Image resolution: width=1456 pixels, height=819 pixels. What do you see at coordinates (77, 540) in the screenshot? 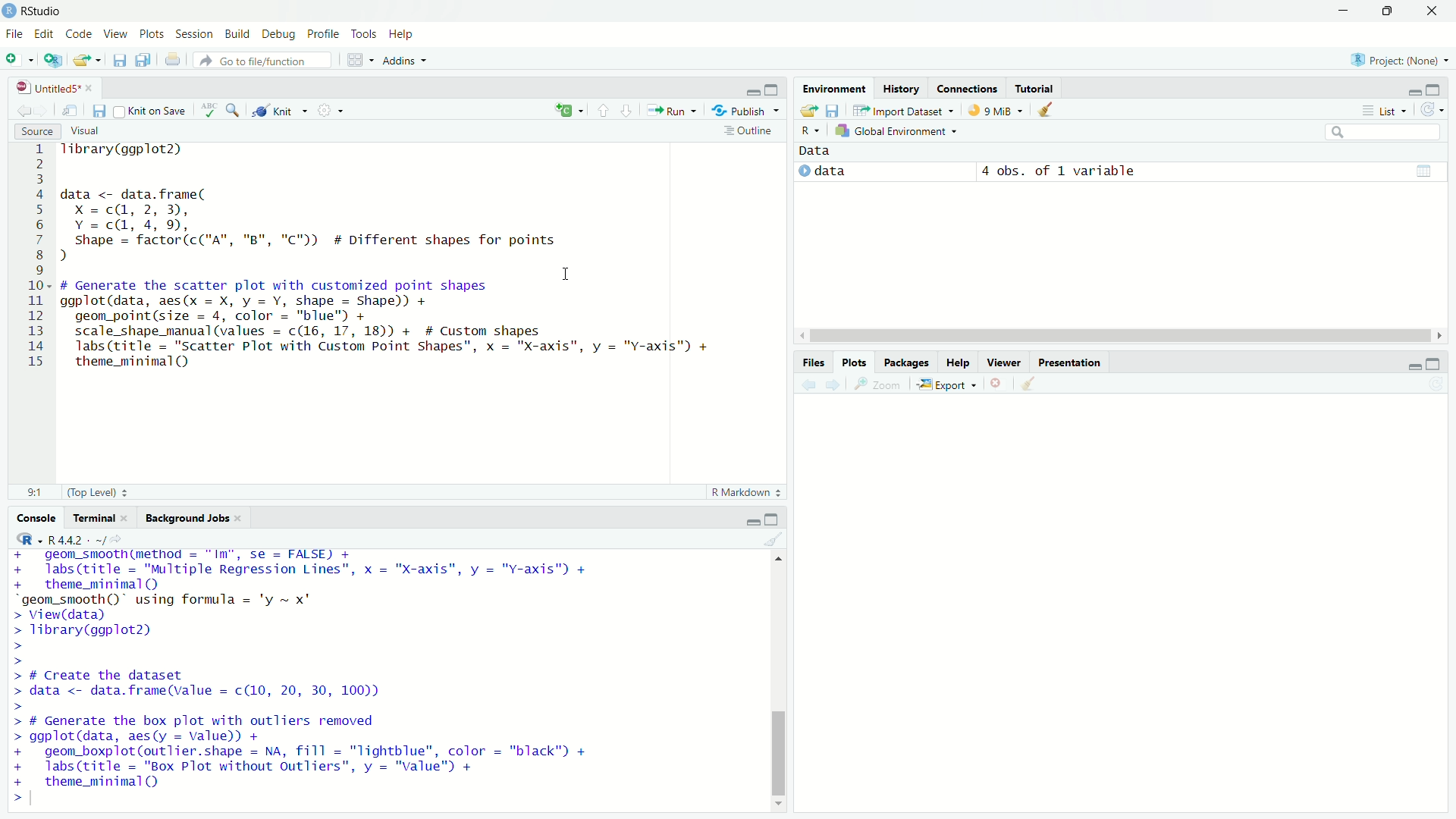
I see `R 4.4.2 .~/` at bounding box center [77, 540].